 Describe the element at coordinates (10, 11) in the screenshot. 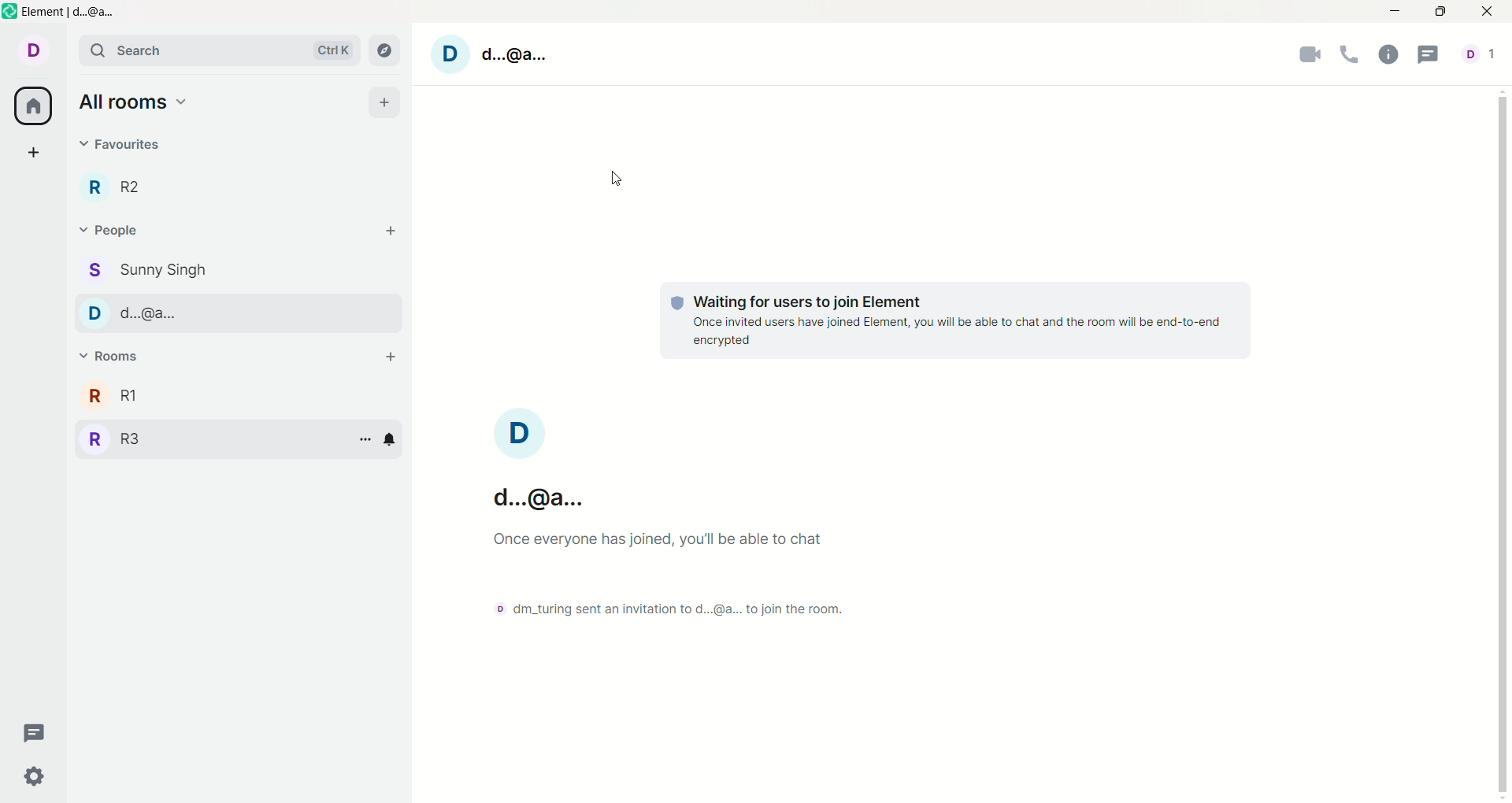

I see `Element logo` at that location.